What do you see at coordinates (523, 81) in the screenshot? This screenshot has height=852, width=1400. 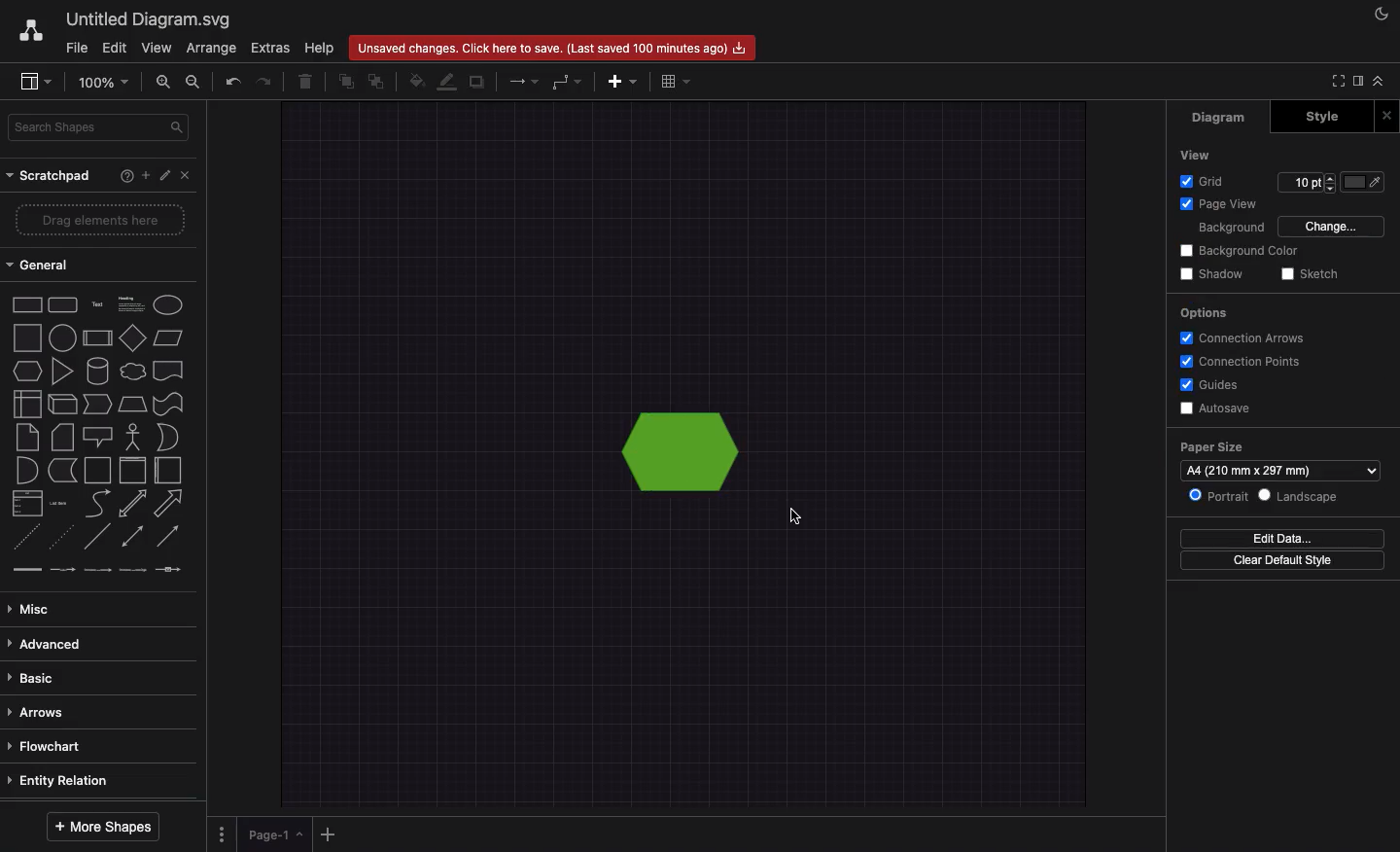 I see `Arrows` at bounding box center [523, 81].